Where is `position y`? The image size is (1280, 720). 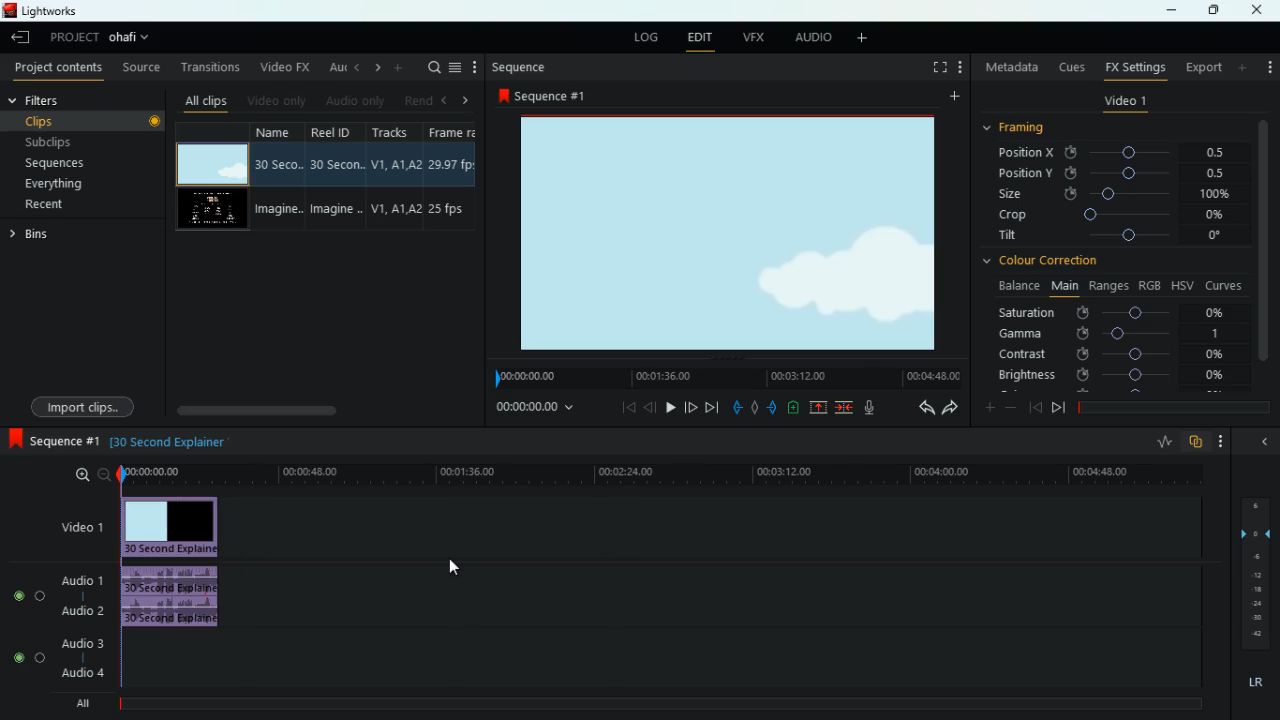 position y is located at coordinates (1104, 174).